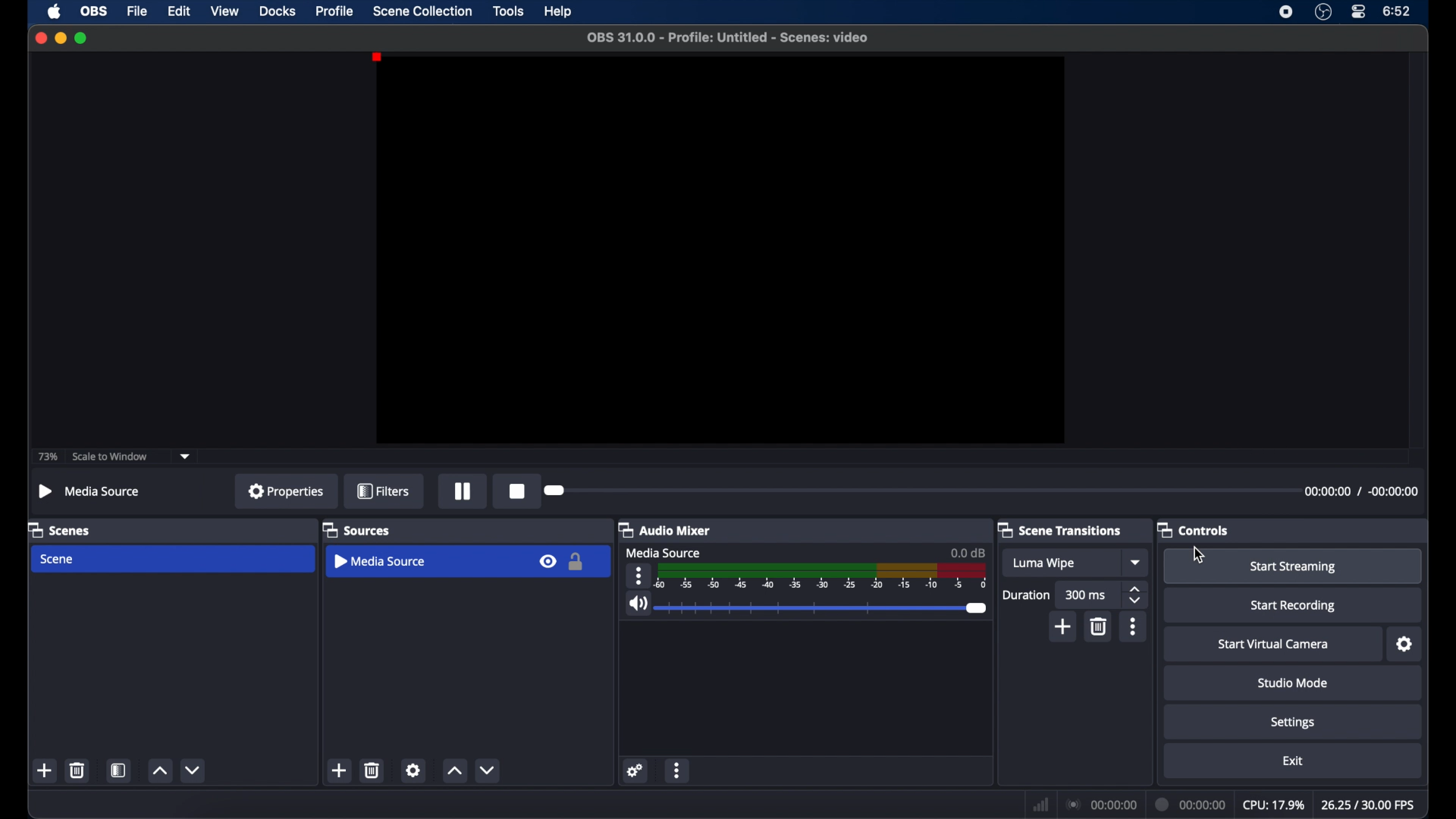 This screenshot has height=819, width=1456. Describe the element at coordinates (383, 491) in the screenshot. I see `filters` at that location.